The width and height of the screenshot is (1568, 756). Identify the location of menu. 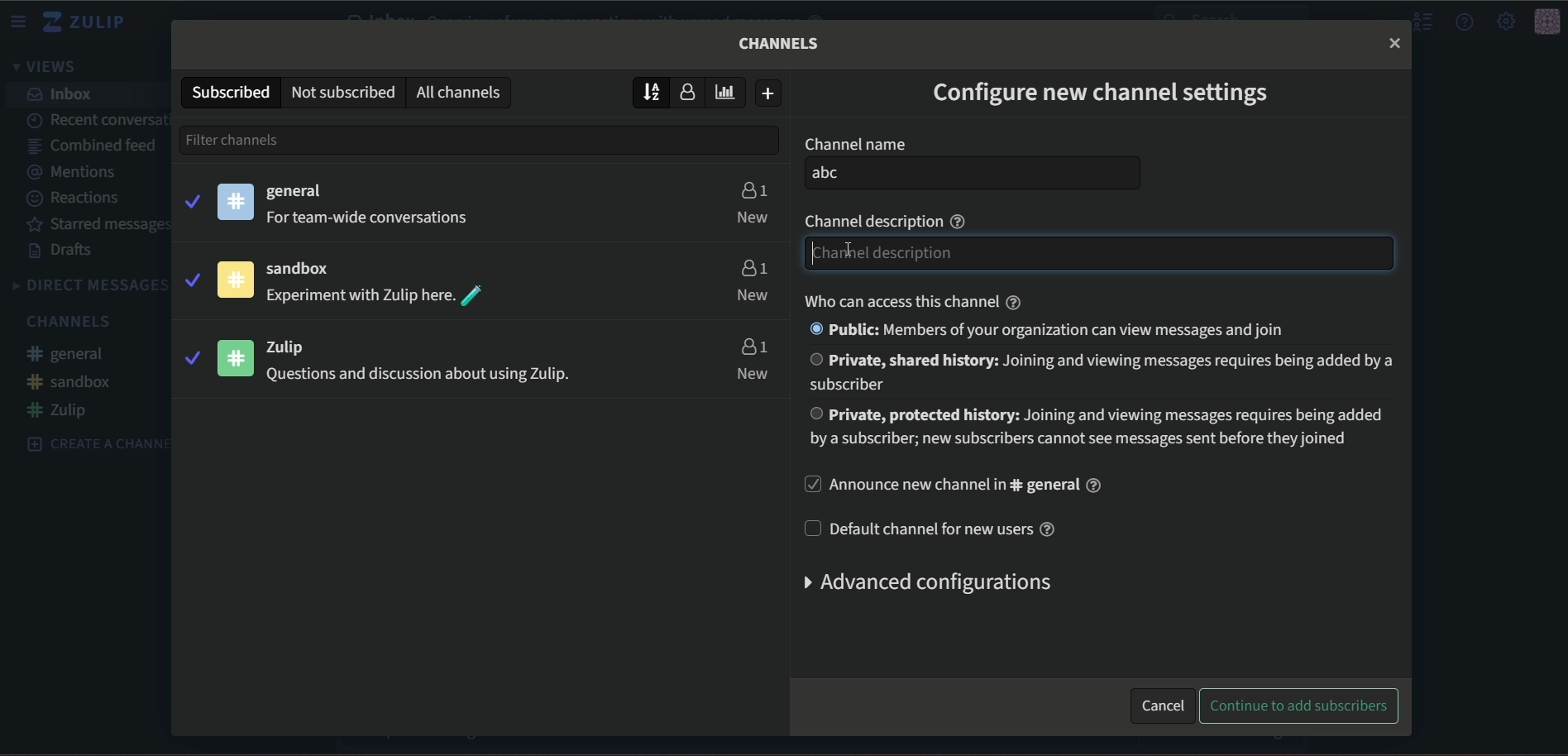
(21, 22).